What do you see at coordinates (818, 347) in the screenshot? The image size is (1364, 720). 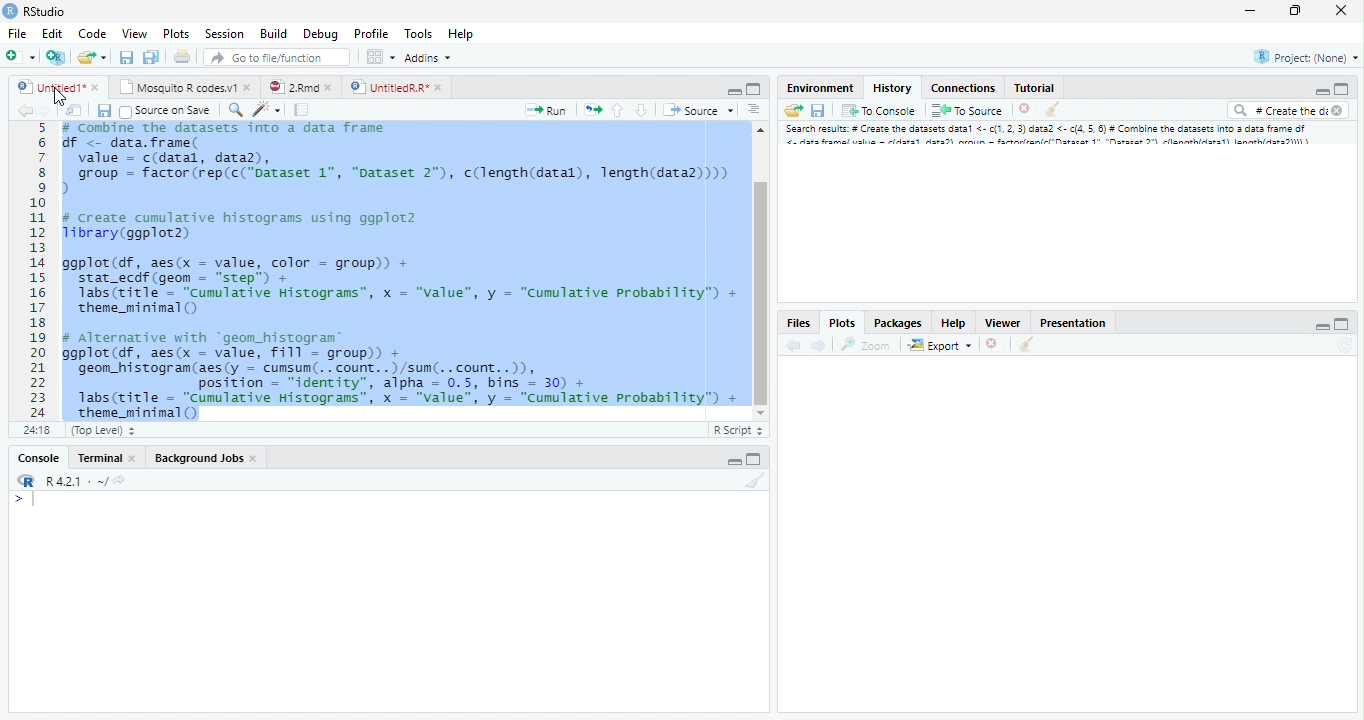 I see `Next` at bounding box center [818, 347].